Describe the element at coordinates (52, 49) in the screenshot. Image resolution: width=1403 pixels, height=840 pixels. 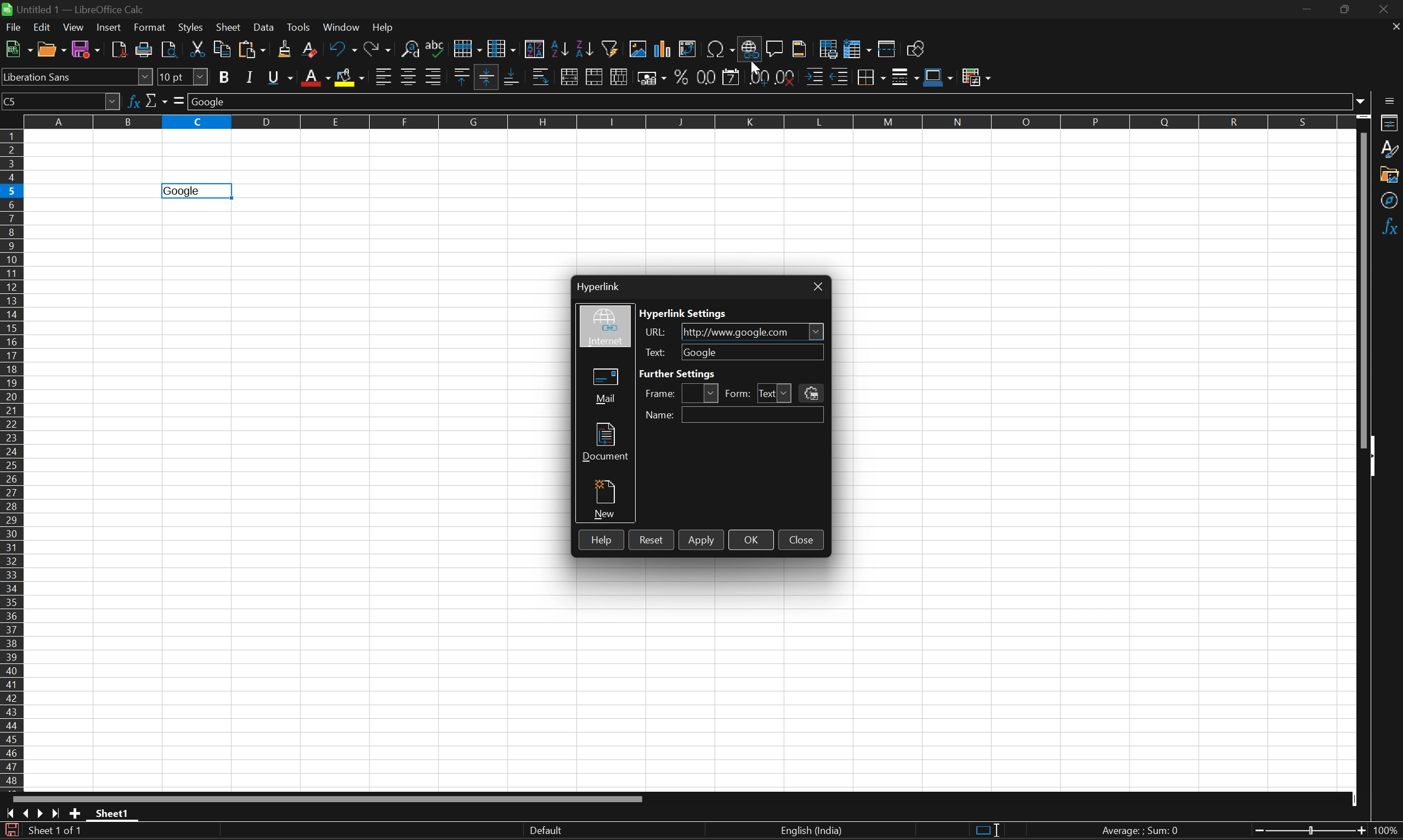
I see `Open` at that location.